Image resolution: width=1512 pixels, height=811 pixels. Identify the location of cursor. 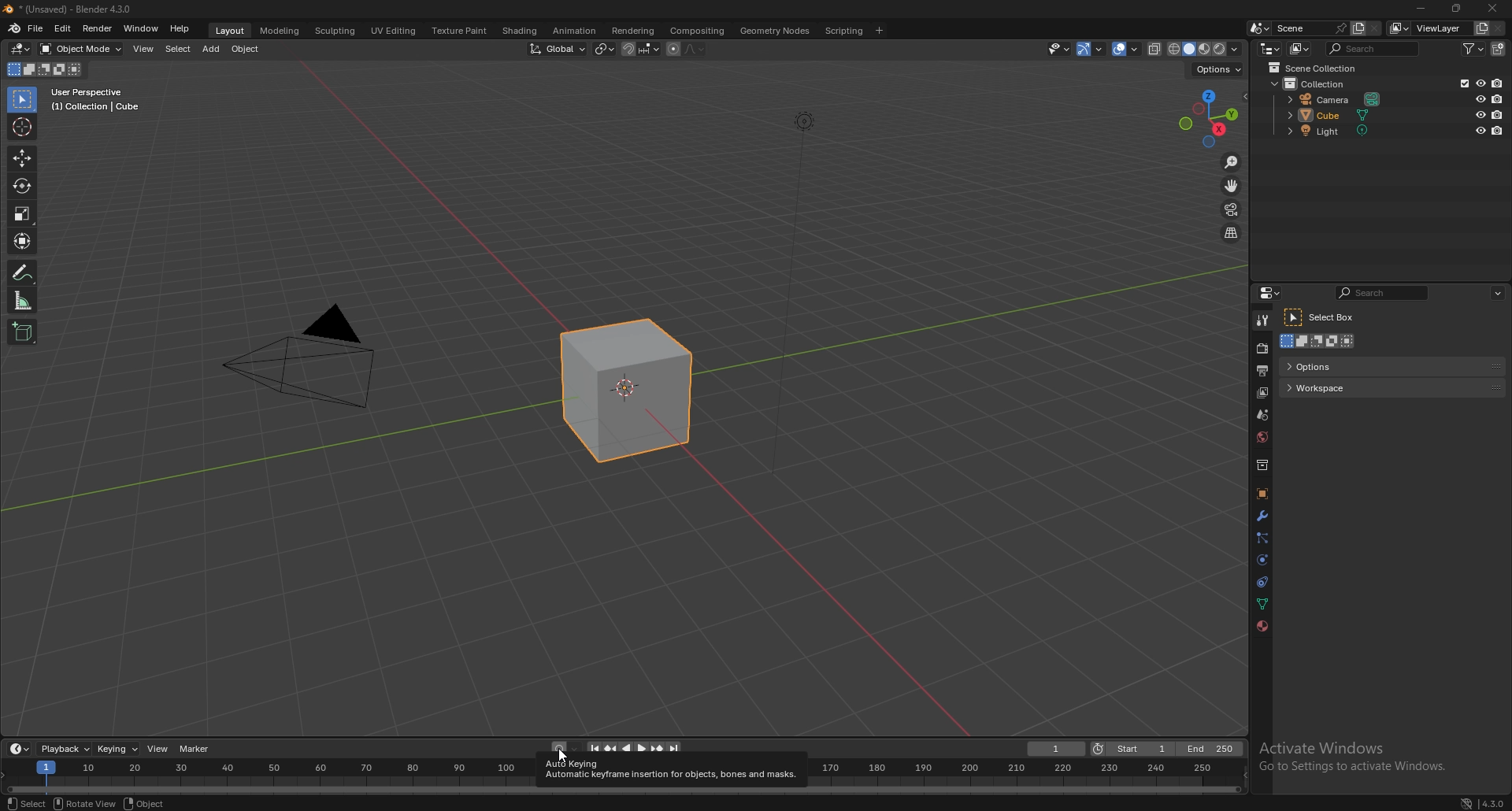
(21, 126).